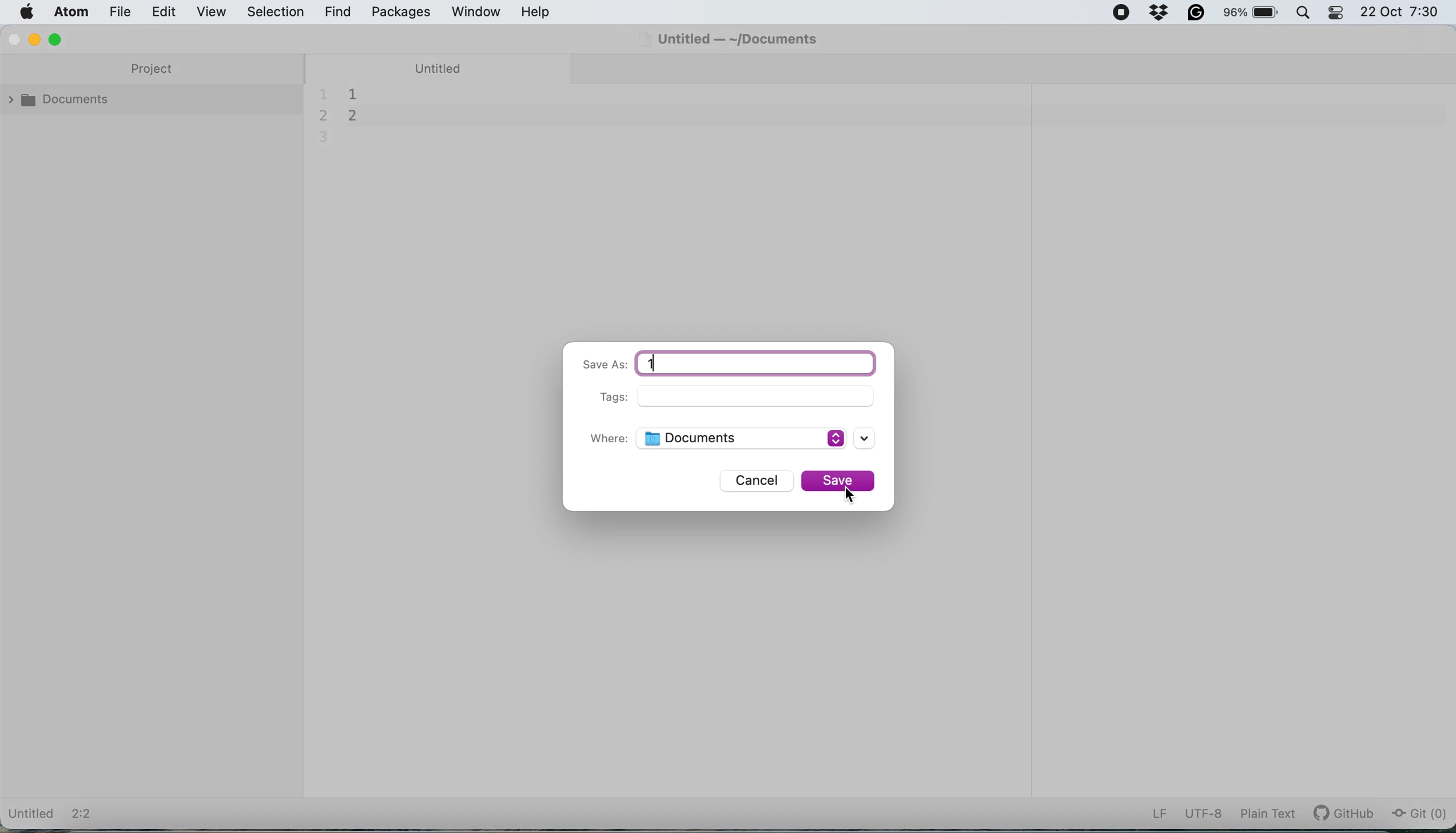 This screenshot has width=1456, height=833. I want to click on tags, so click(757, 396).